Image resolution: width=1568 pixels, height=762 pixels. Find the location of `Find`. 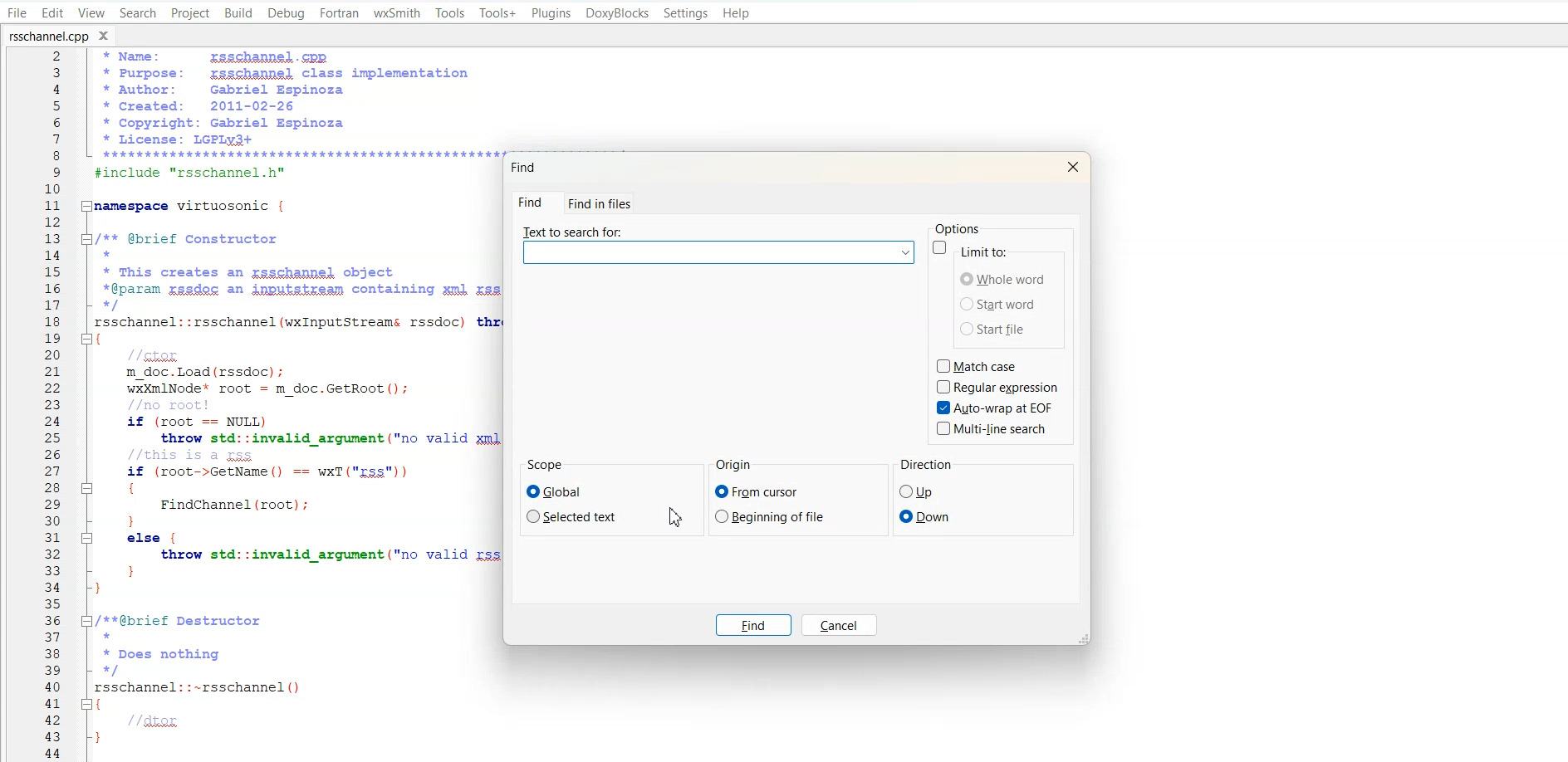

Find is located at coordinates (755, 626).